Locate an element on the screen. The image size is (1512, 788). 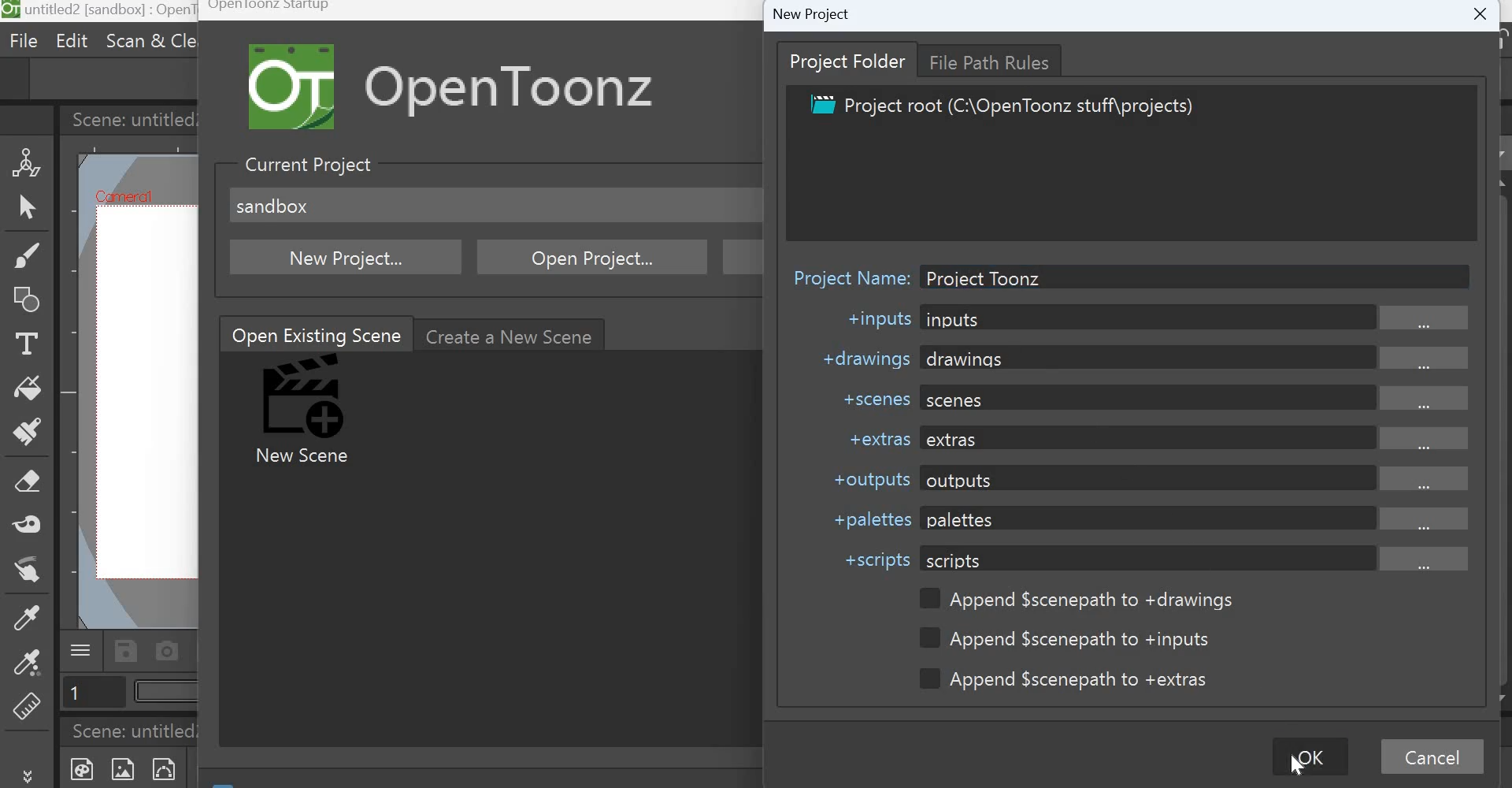
New project is located at coordinates (347, 256).